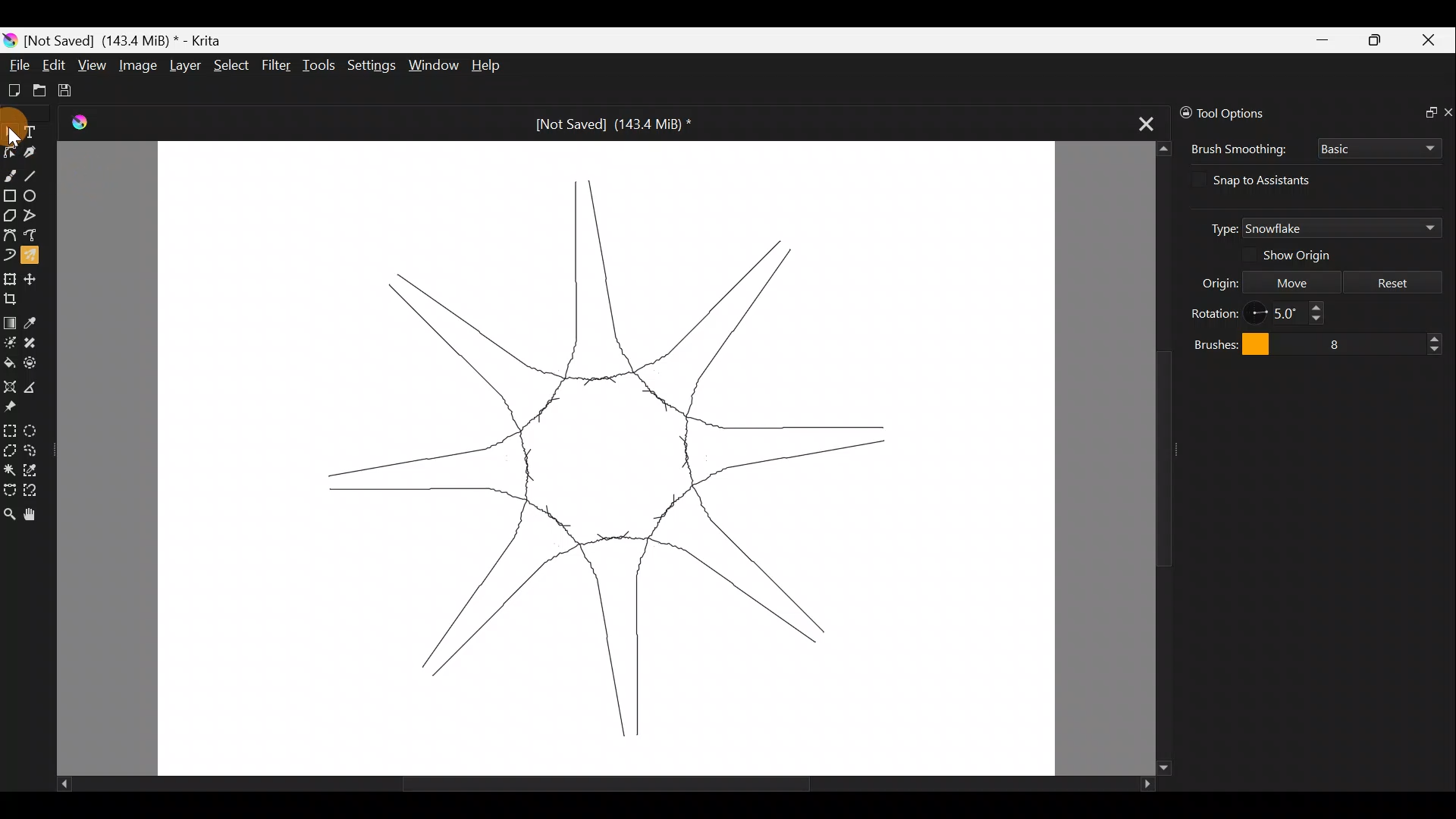  What do you see at coordinates (36, 149) in the screenshot?
I see `Calligraphy` at bounding box center [36, 149].